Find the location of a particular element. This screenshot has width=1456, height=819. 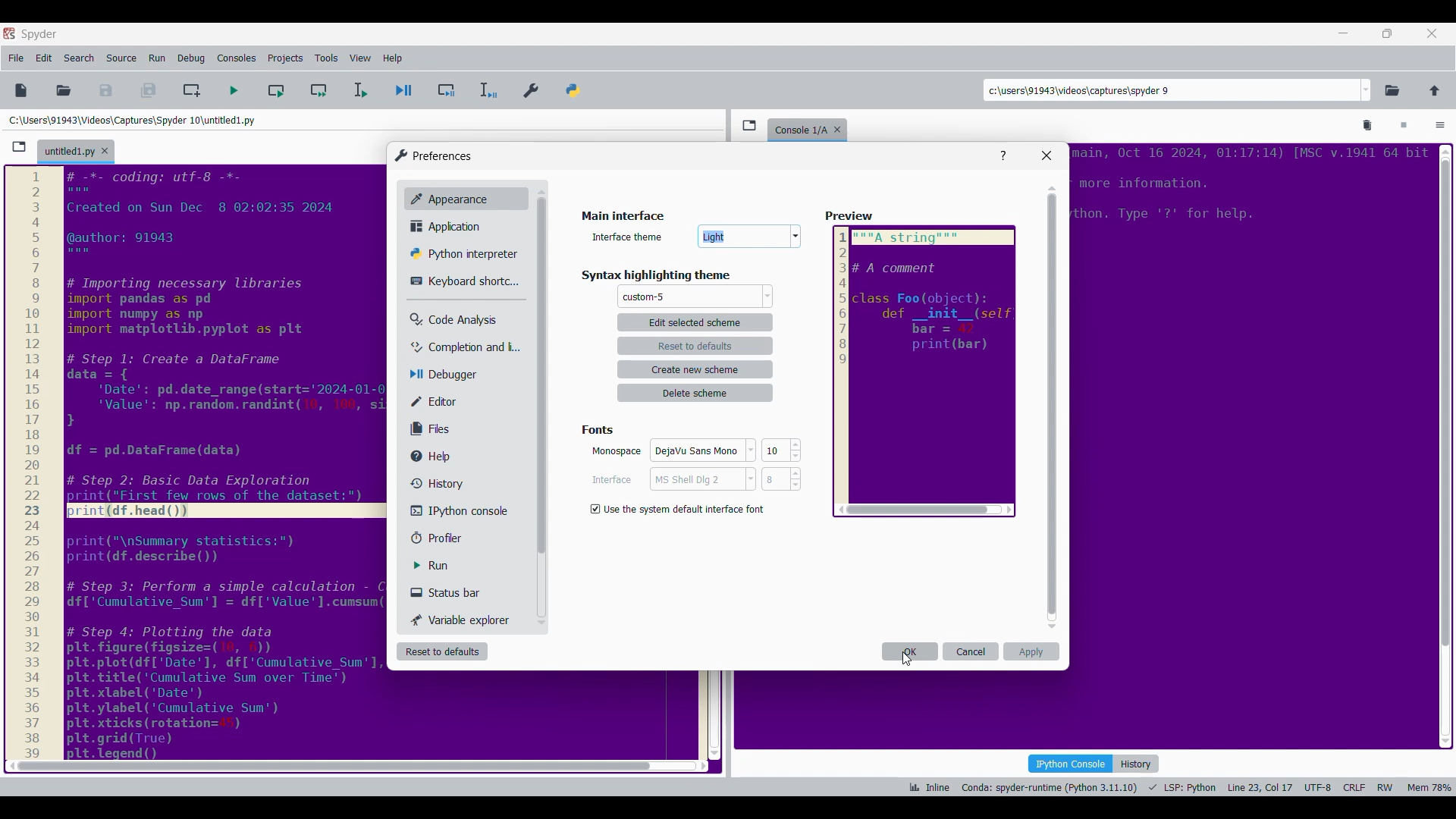

Indicates text box for scheme name is located at coordinates (629, 236).